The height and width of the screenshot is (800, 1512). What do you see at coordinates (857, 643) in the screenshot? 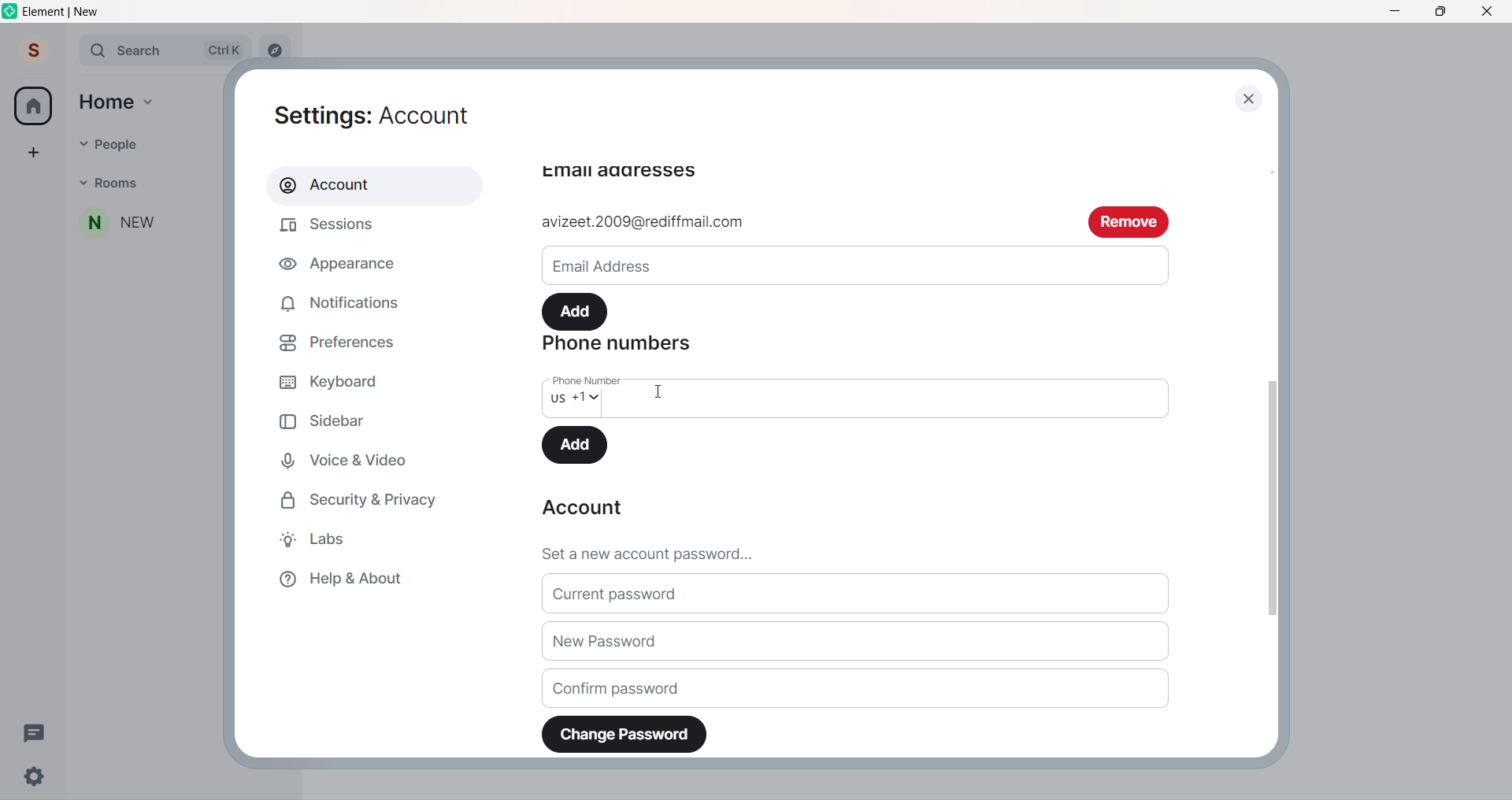
I see `New Password` at bounding box center [857, 643].